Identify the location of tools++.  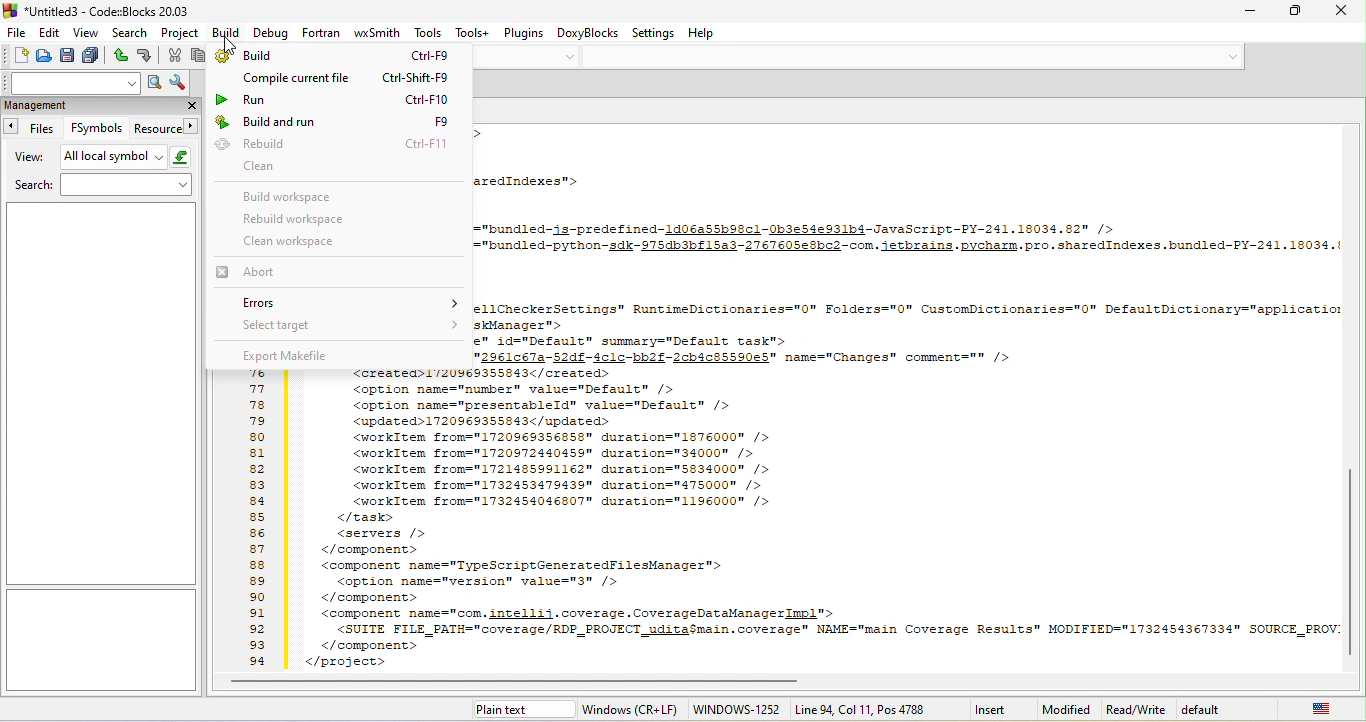
(475, 32).